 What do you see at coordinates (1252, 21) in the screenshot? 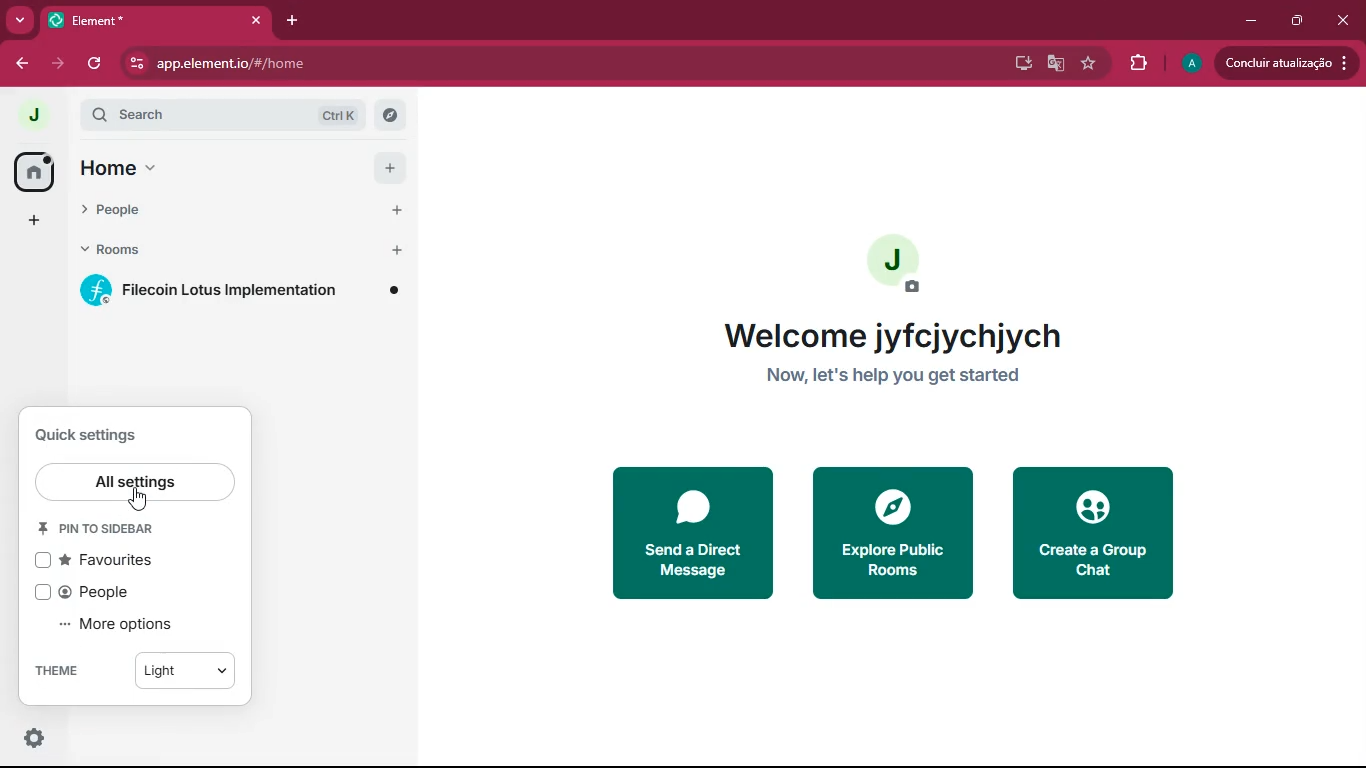
I see `minimize` at bounding box center [1252, 21].